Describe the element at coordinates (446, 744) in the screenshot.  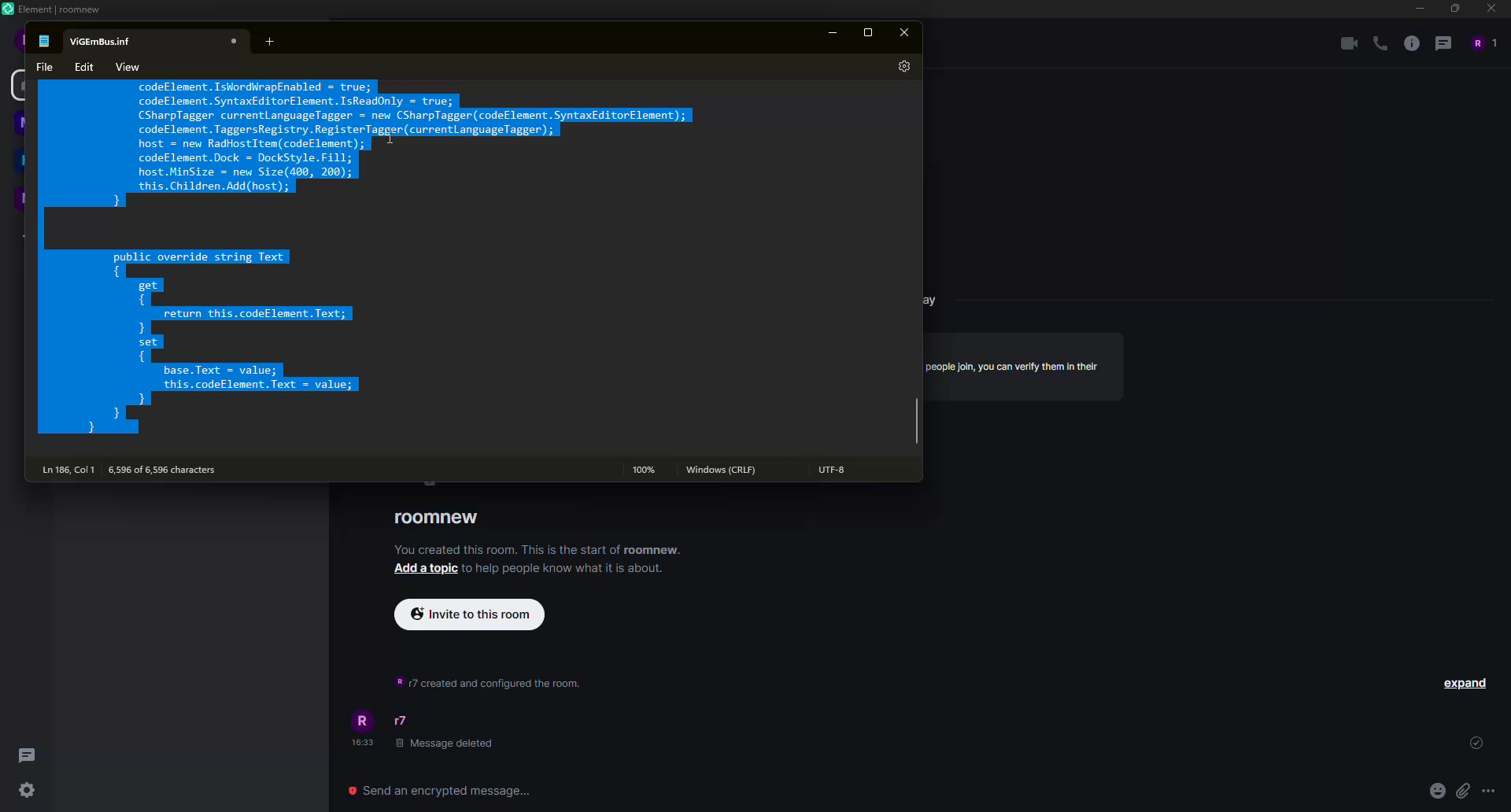
I see `message deleted` at that location.